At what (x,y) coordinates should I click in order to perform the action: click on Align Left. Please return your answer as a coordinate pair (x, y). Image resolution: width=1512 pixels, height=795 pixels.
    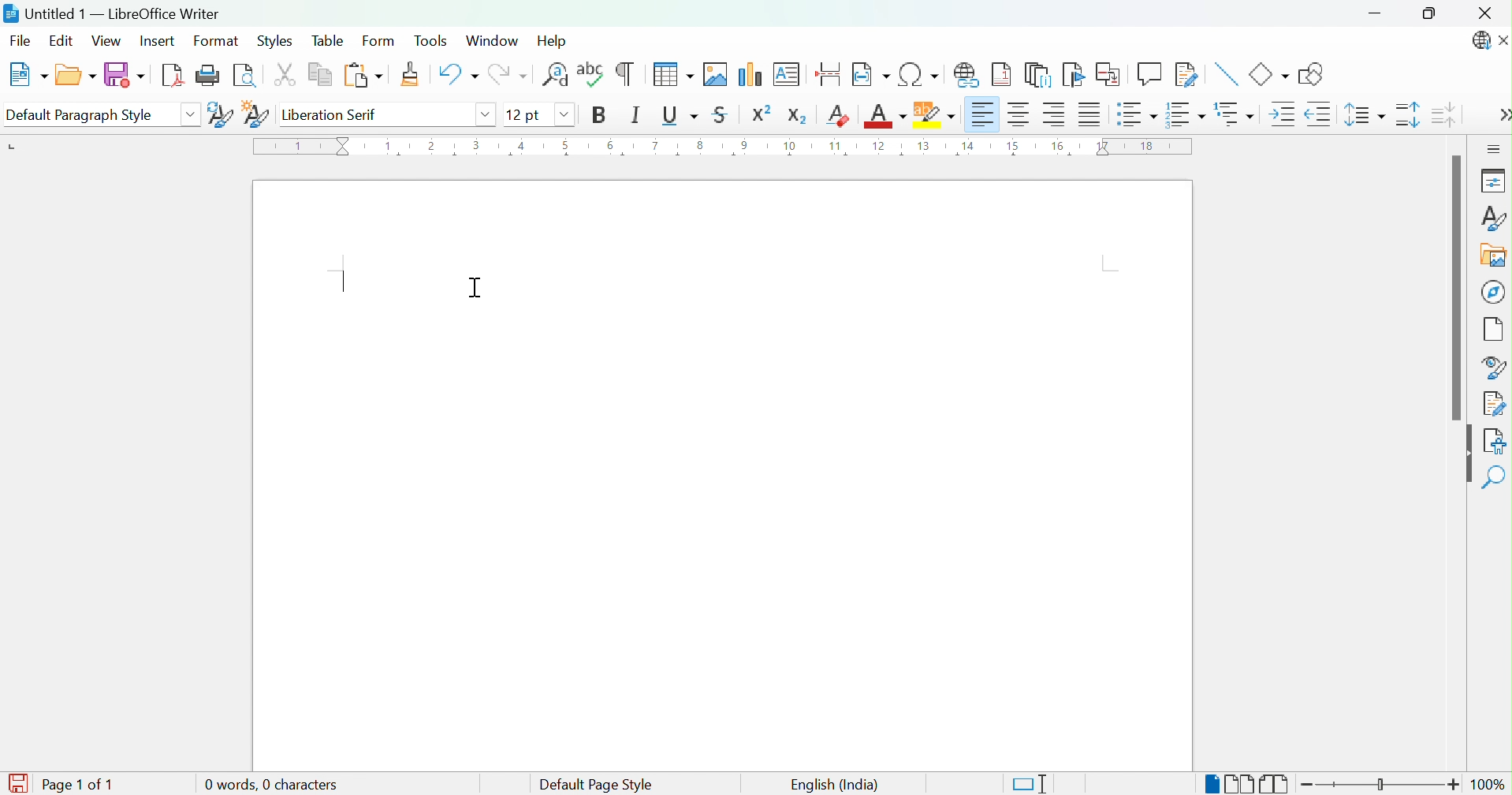
    Looking at the image, I should click on (982, 114).